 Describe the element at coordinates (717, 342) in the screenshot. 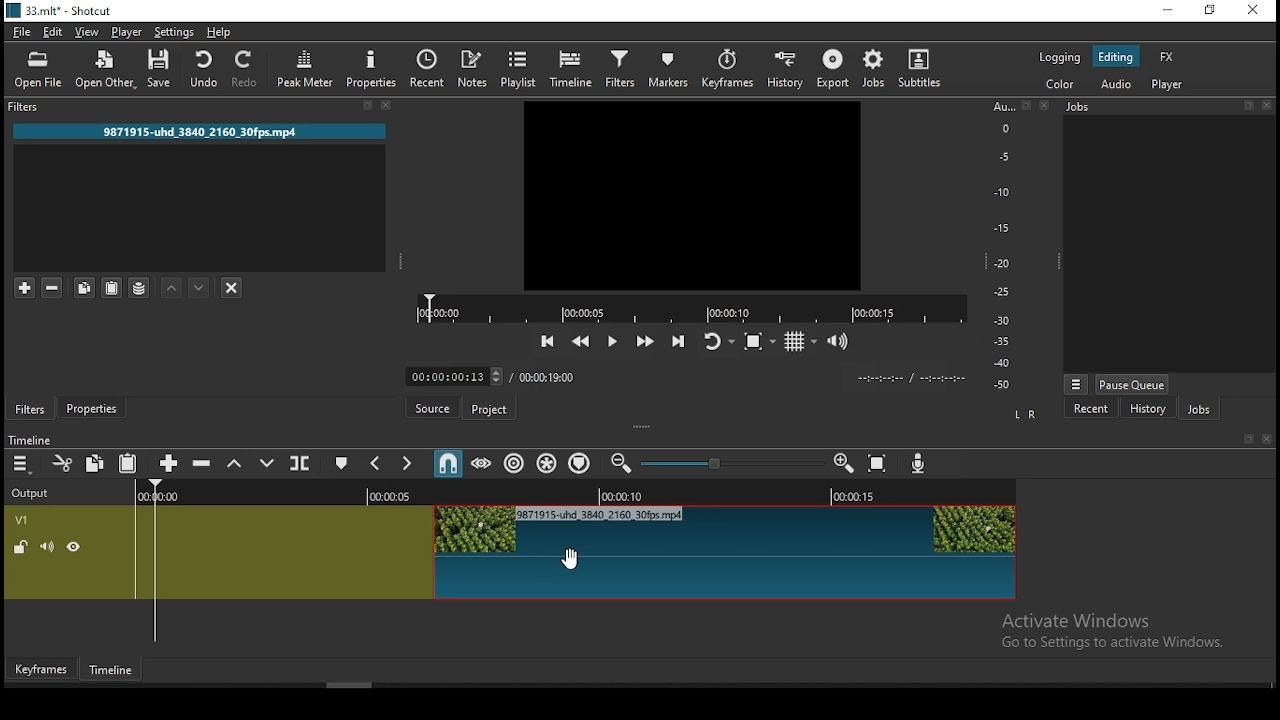

I see `toggle player looping` at that location.